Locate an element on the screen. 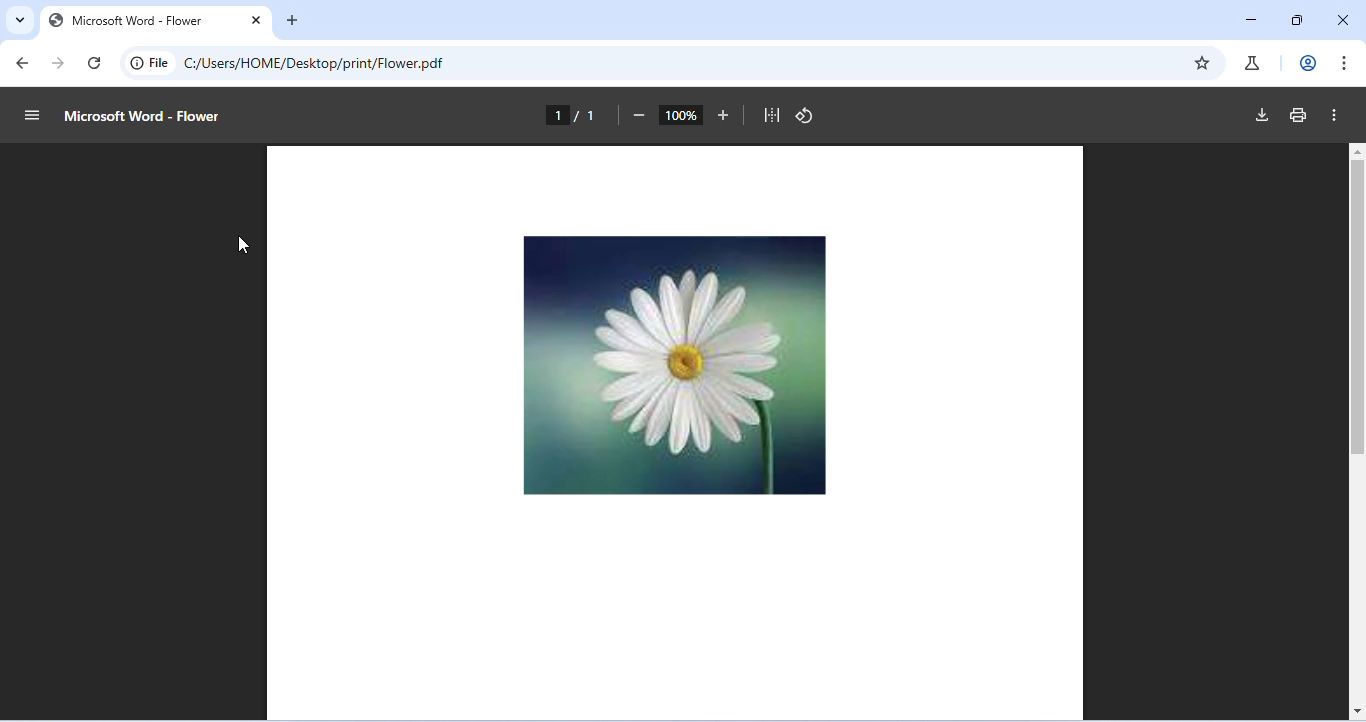 The image size is (1366, 722). download is located at coordinates (1262, 114).